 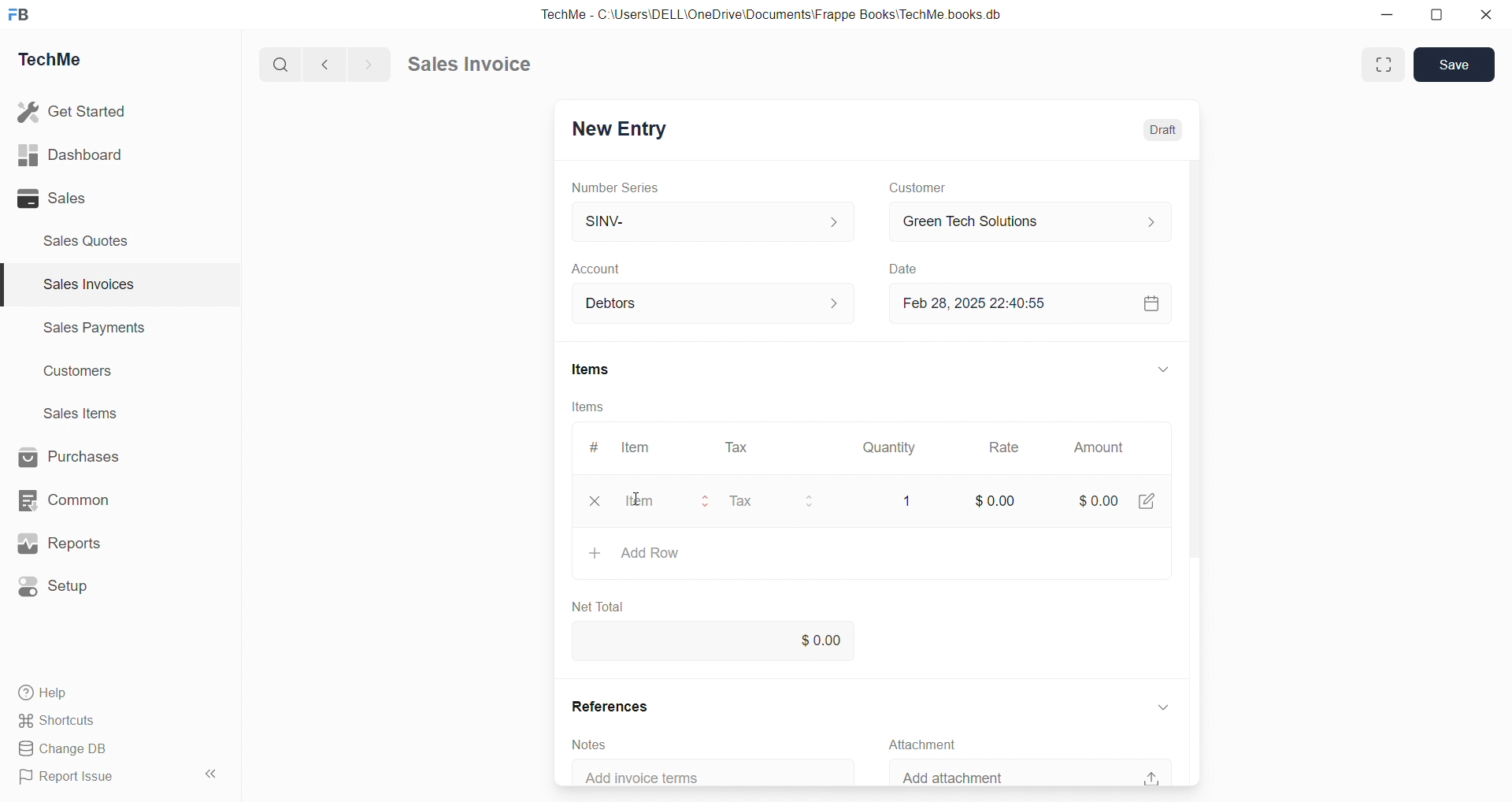 I want to click on Item, so click(x=638, y=499).